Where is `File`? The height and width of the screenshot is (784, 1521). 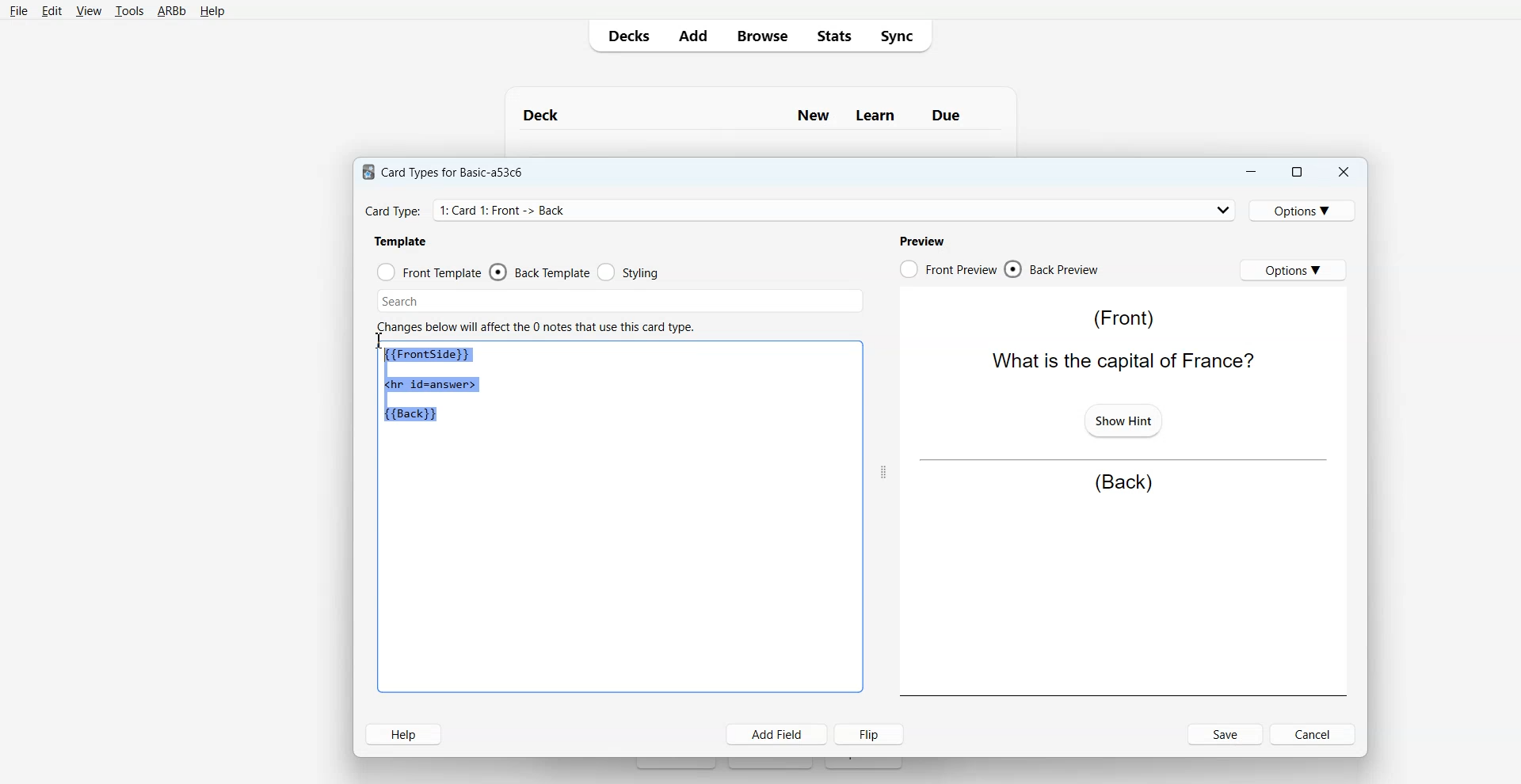 File is located at coordinates (18, 10).